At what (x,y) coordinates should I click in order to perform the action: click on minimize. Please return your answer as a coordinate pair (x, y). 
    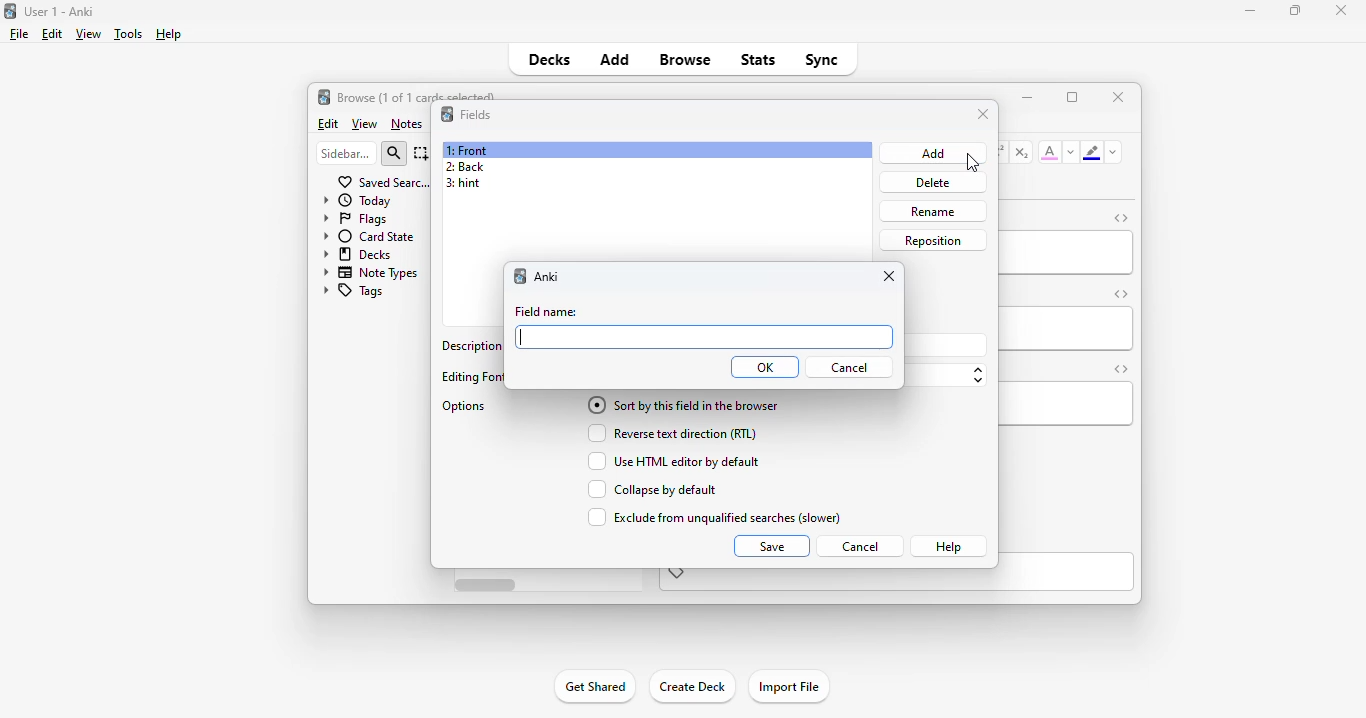
    Looking at the image, I should click on (1027, 96).